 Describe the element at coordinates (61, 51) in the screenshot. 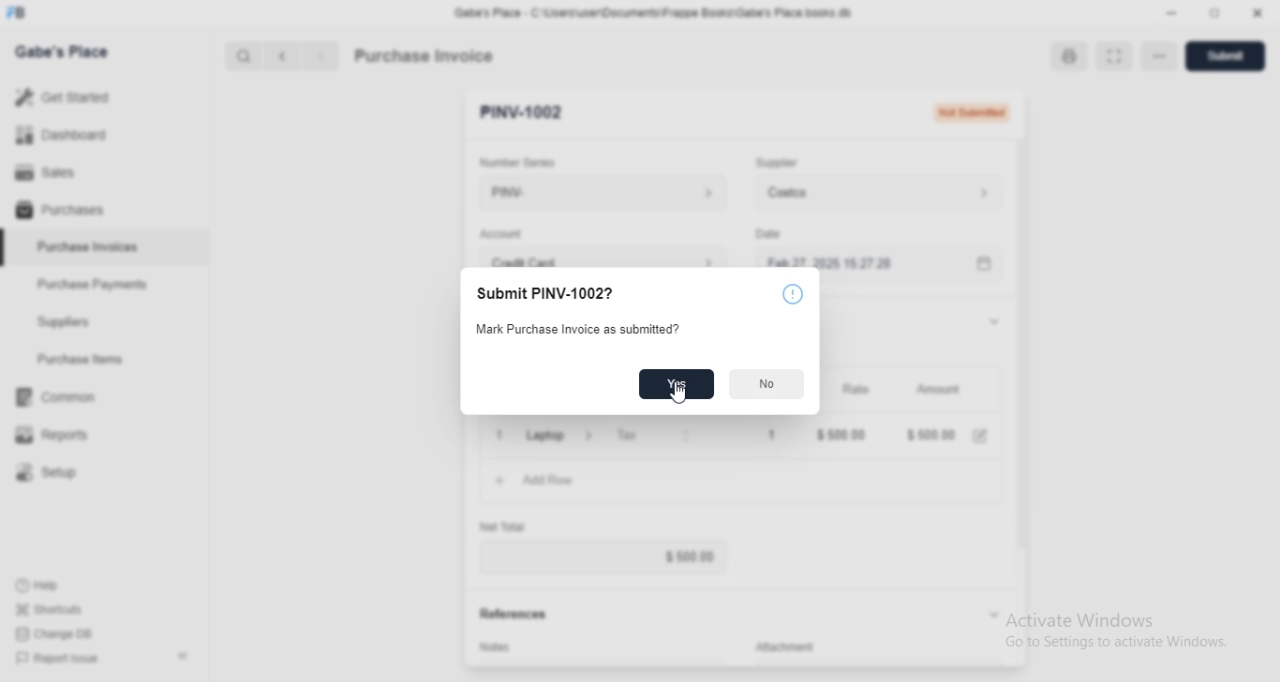

I see `Gabe's Place` at that location.